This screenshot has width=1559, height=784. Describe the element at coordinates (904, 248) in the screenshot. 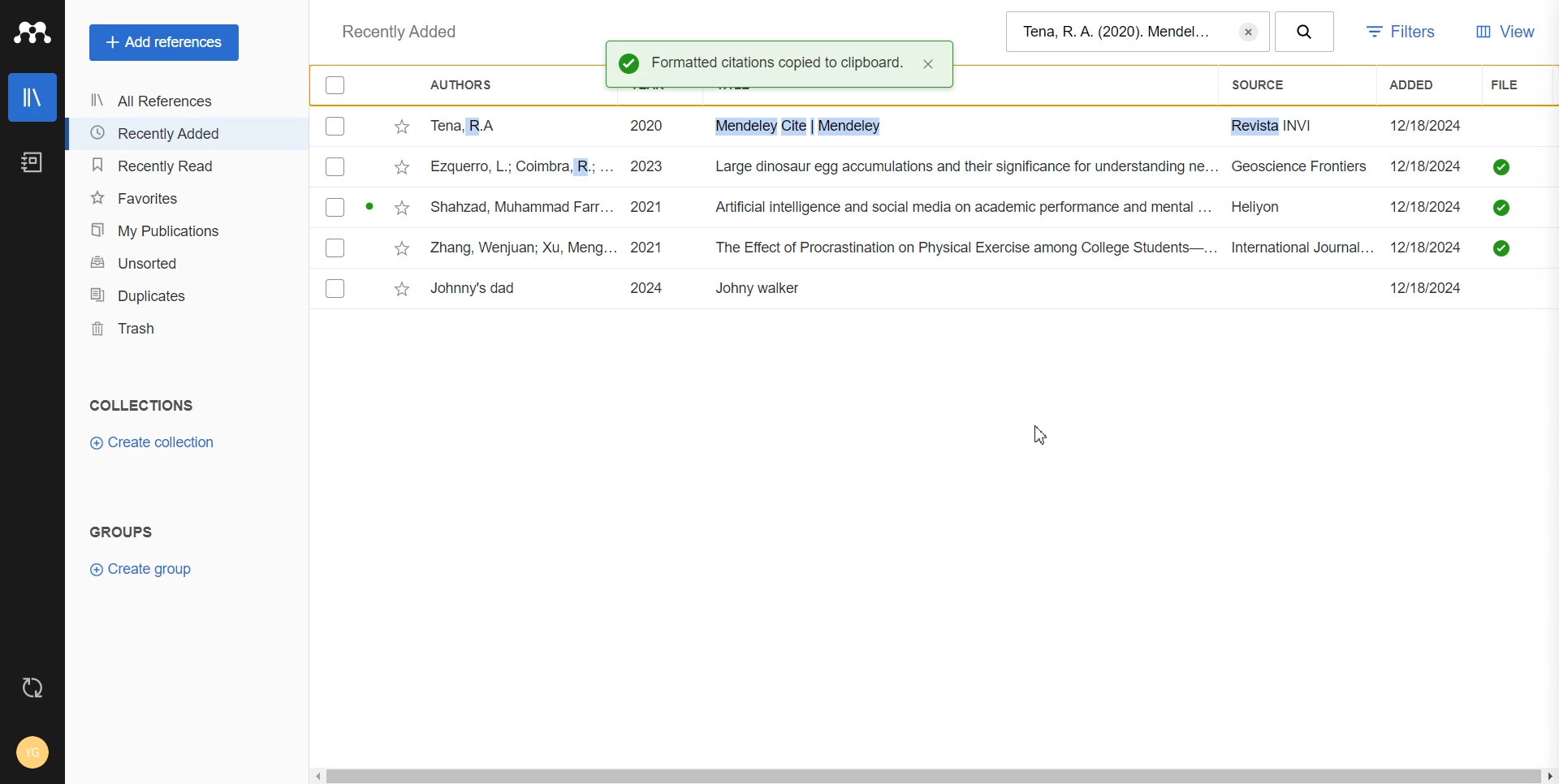

I see `Zhang, Wenjuan; Xu, Meng... 2021 The Effect of Procrastination on Physical Exercise among College Students—... International Journal...` at that location.